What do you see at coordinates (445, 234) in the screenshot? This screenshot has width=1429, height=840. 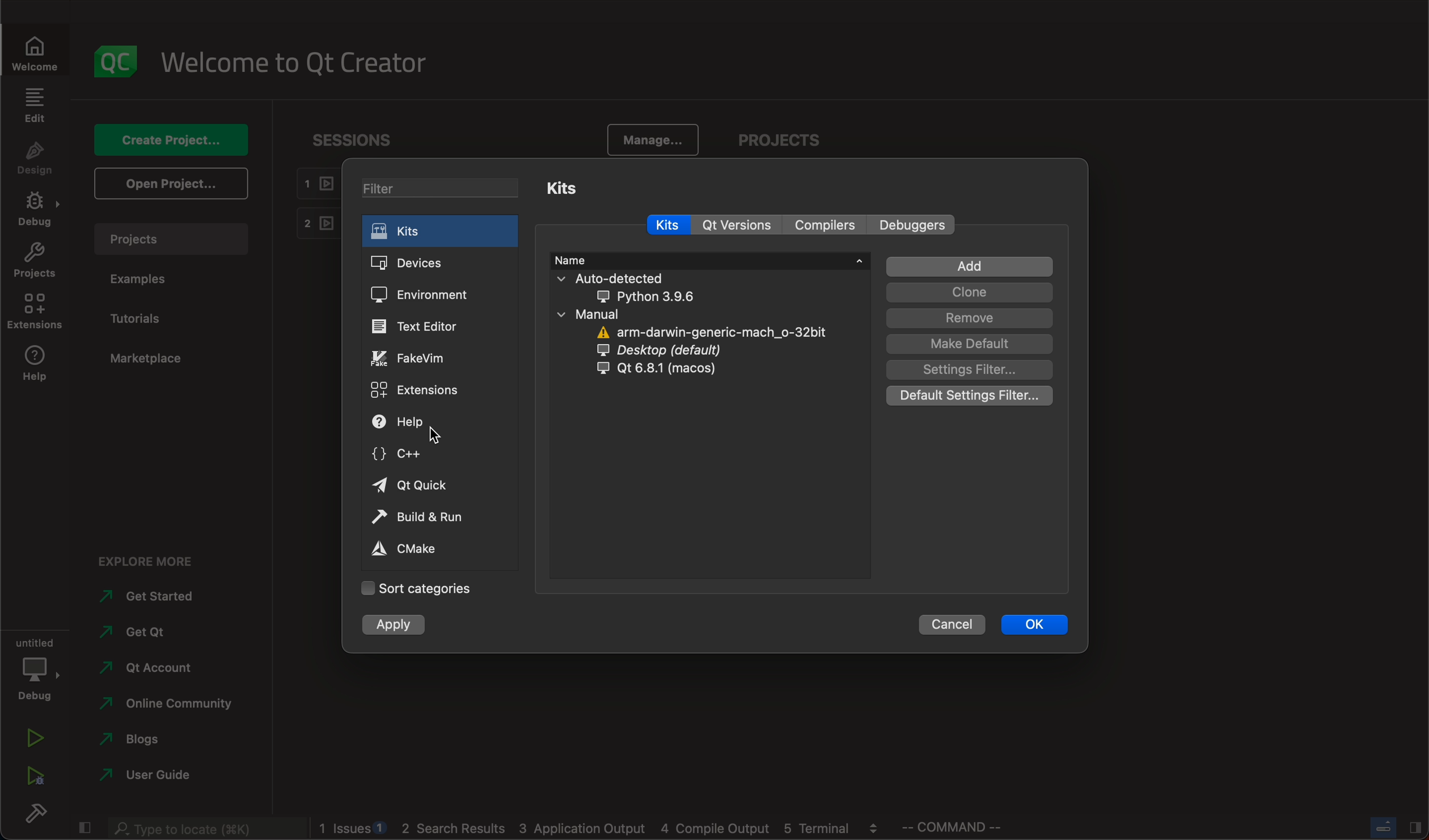 I see `kits` at bounding box center [445, 234].